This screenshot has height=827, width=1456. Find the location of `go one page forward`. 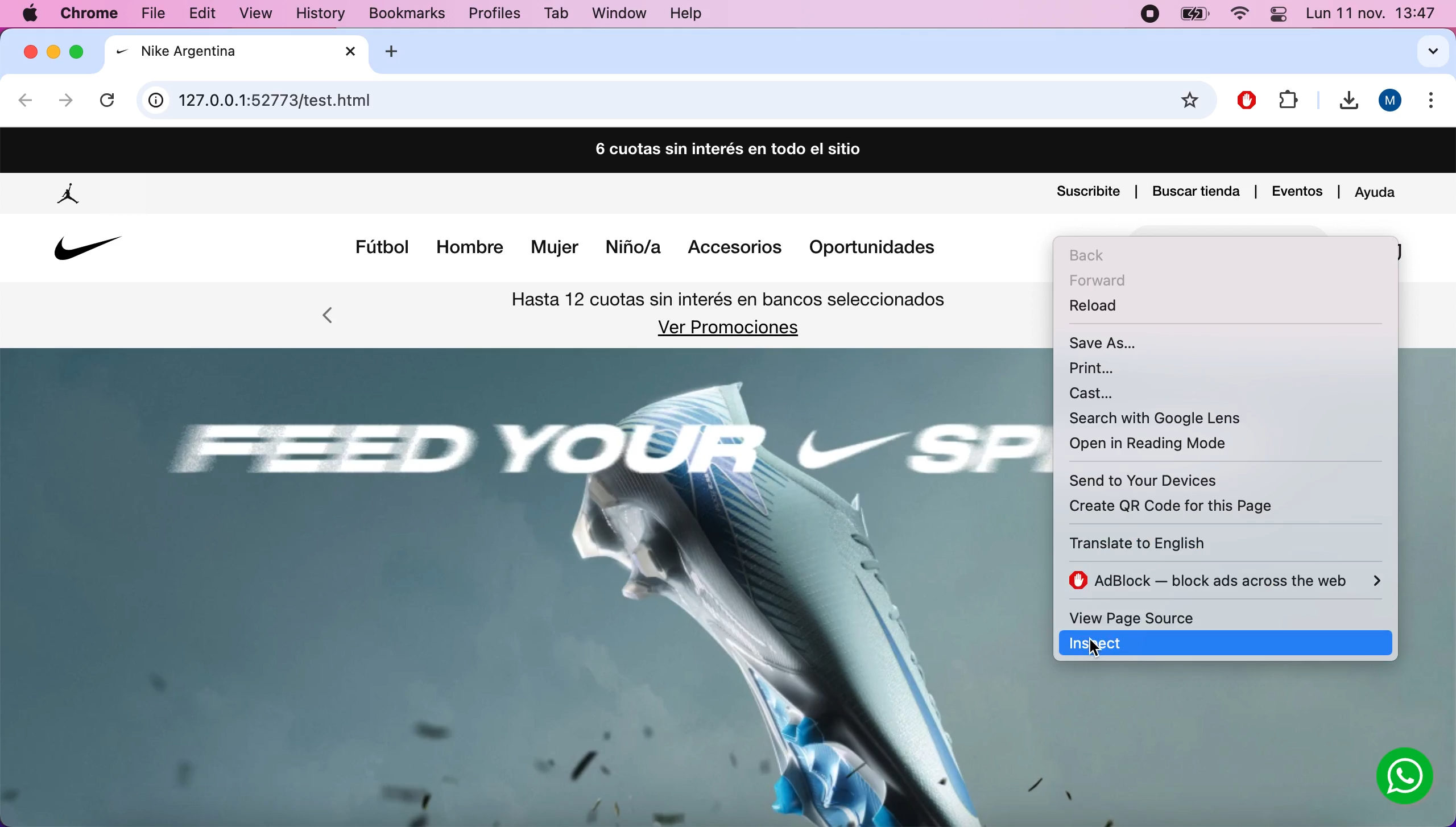

go one page forward is located at coordinates (65, 101).